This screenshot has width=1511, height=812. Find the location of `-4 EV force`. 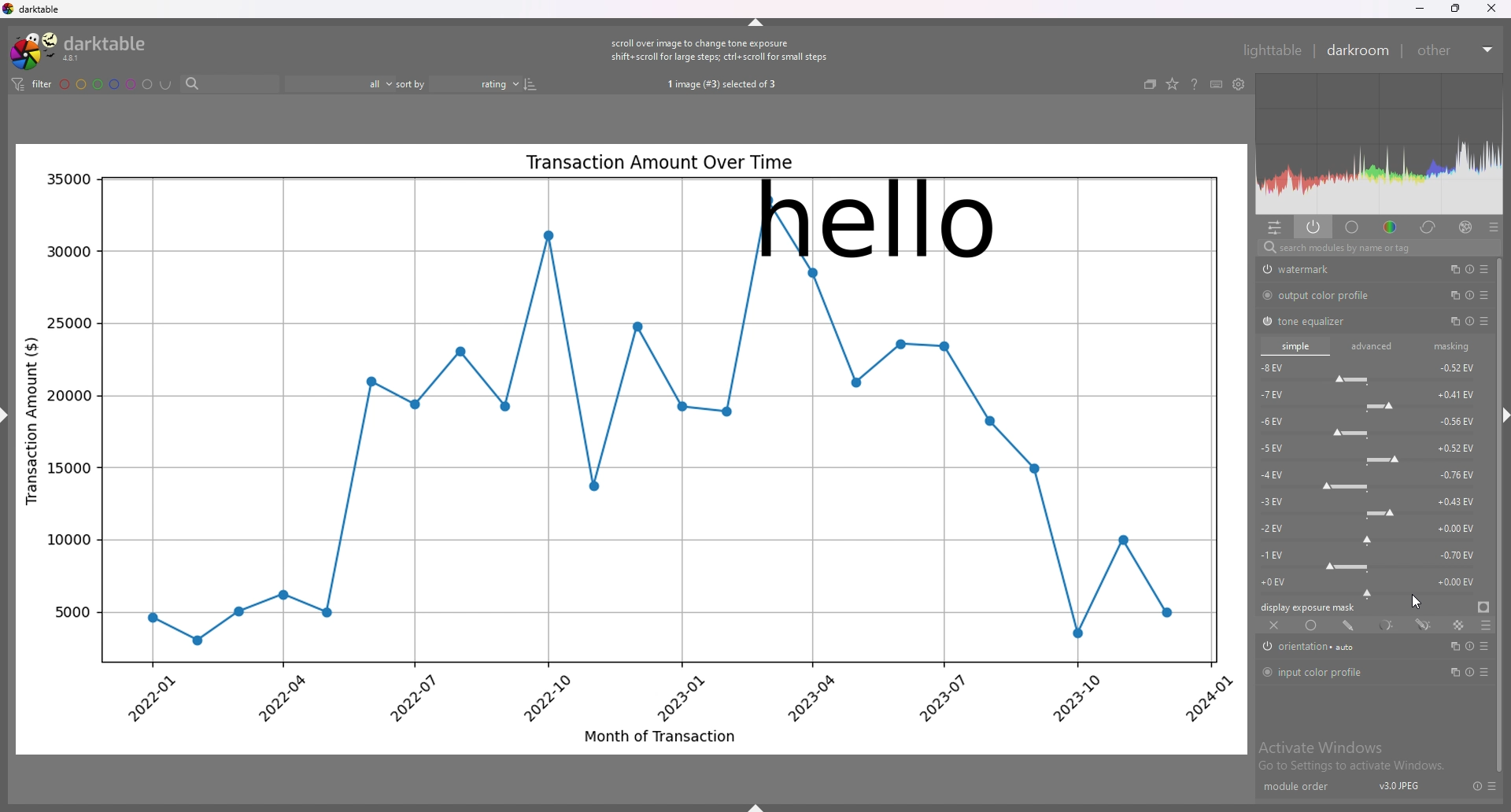

-4 EV force is located at coordinates (1371, 479).